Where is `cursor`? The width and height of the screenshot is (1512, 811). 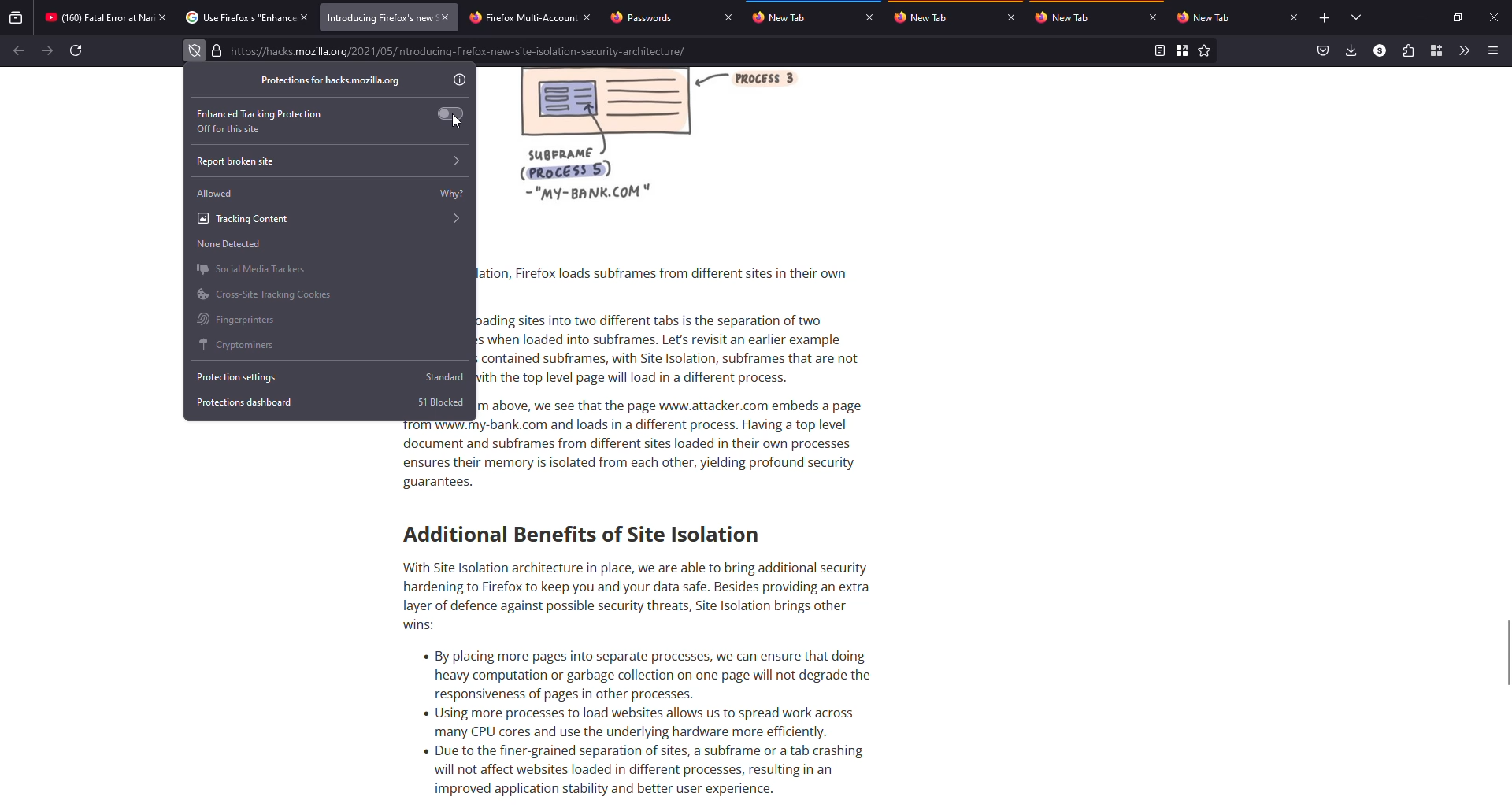
cursor is located at coordinates (458, 120).